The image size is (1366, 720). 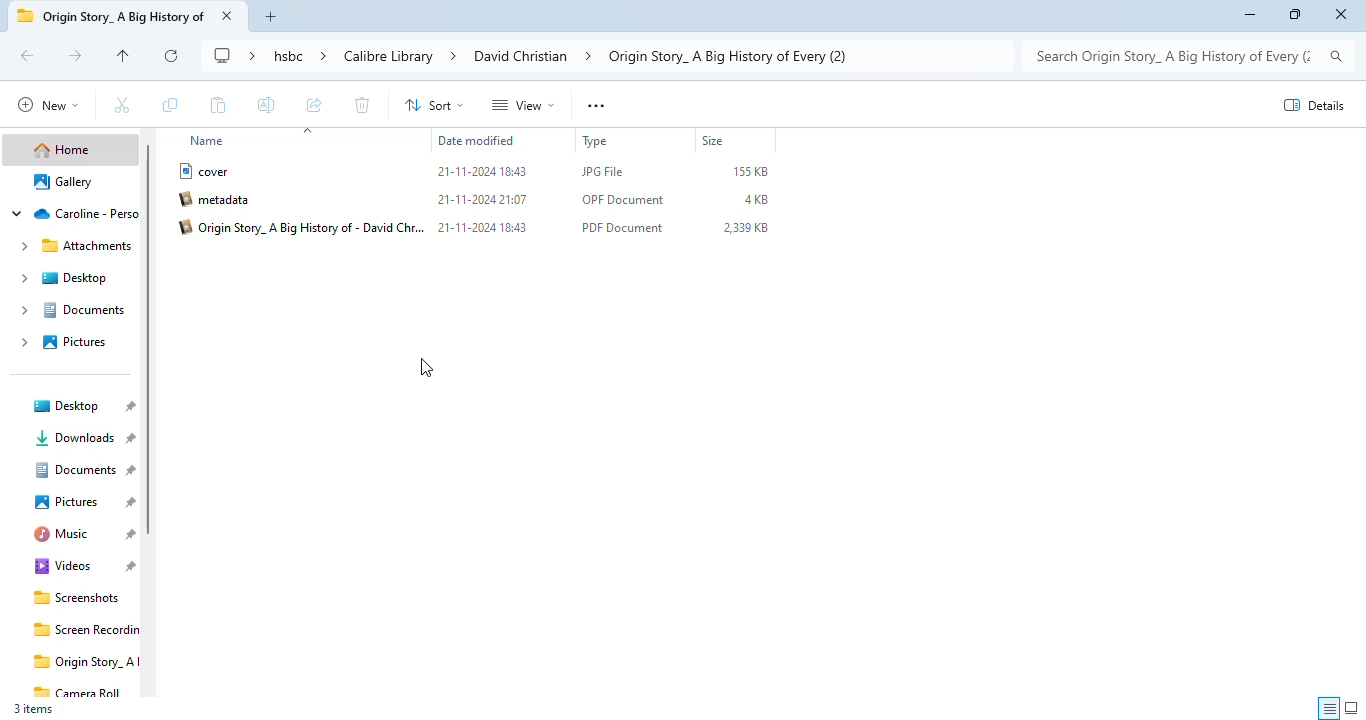 I want to click on downloads, so click(x=81, y=438).